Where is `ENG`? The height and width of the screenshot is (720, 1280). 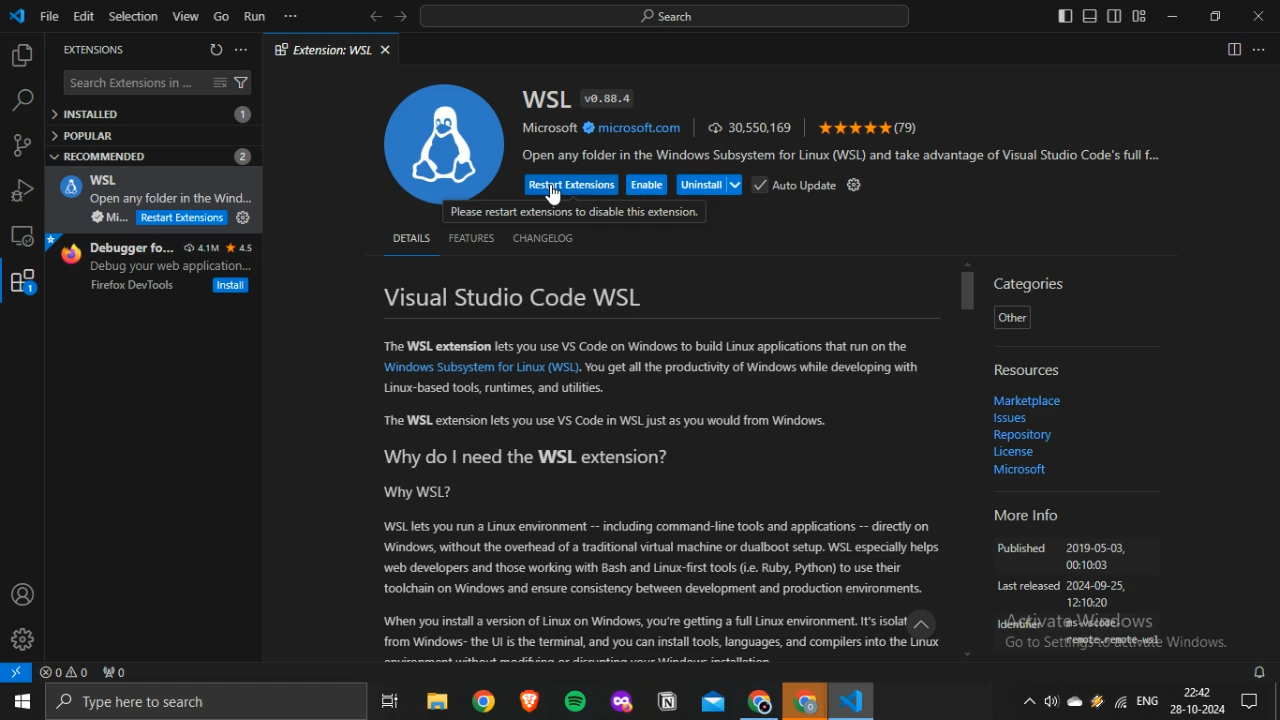
ENG is located at coordinates (1147, 700).